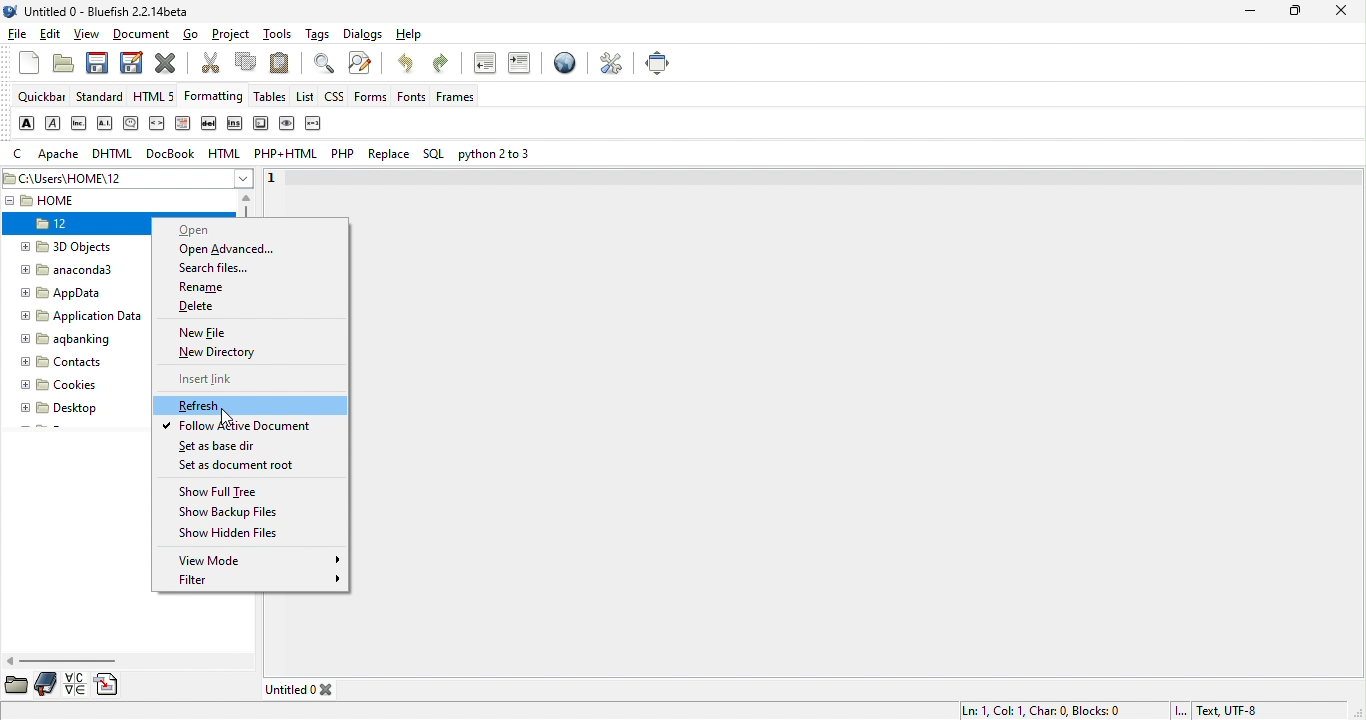 The width and height of the screenshot is (1366, 720). Describe the element at coordinates (242, 535) in the screenshot. I see `show hidden files` at that location.